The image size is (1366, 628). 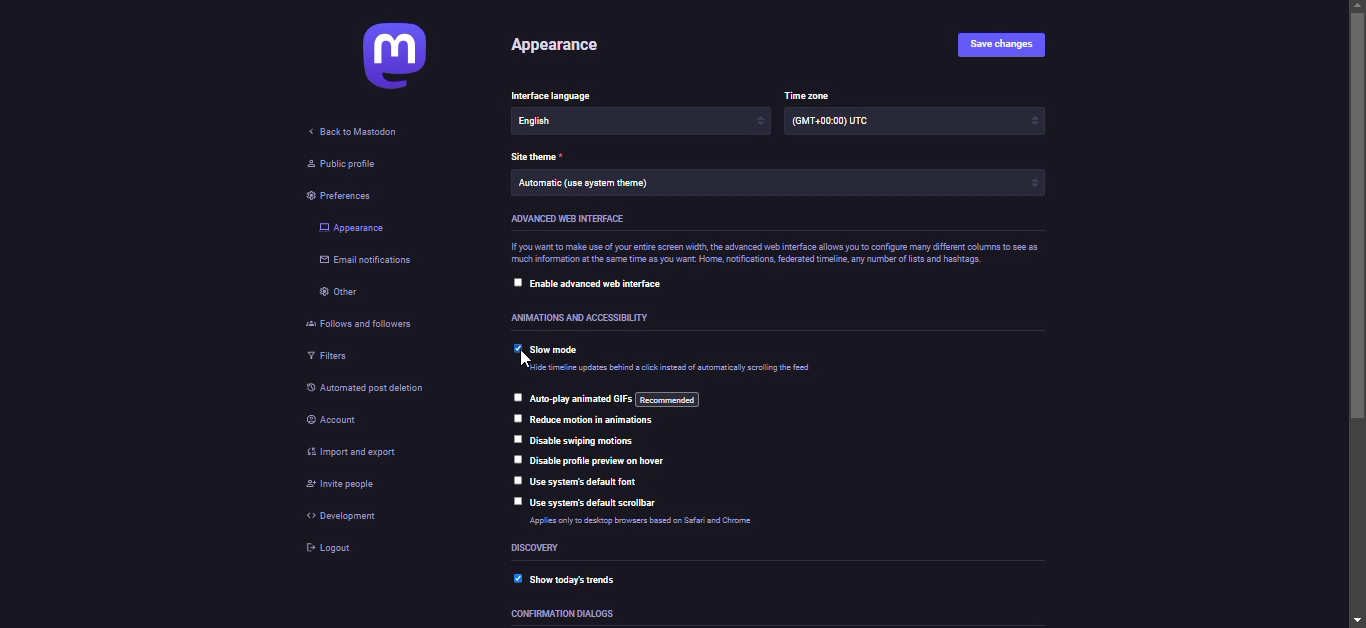 What do you see at coordinates (568, 616) in the screenshot?
I see `confirmation dialogs` at bounding box center [568, 616].